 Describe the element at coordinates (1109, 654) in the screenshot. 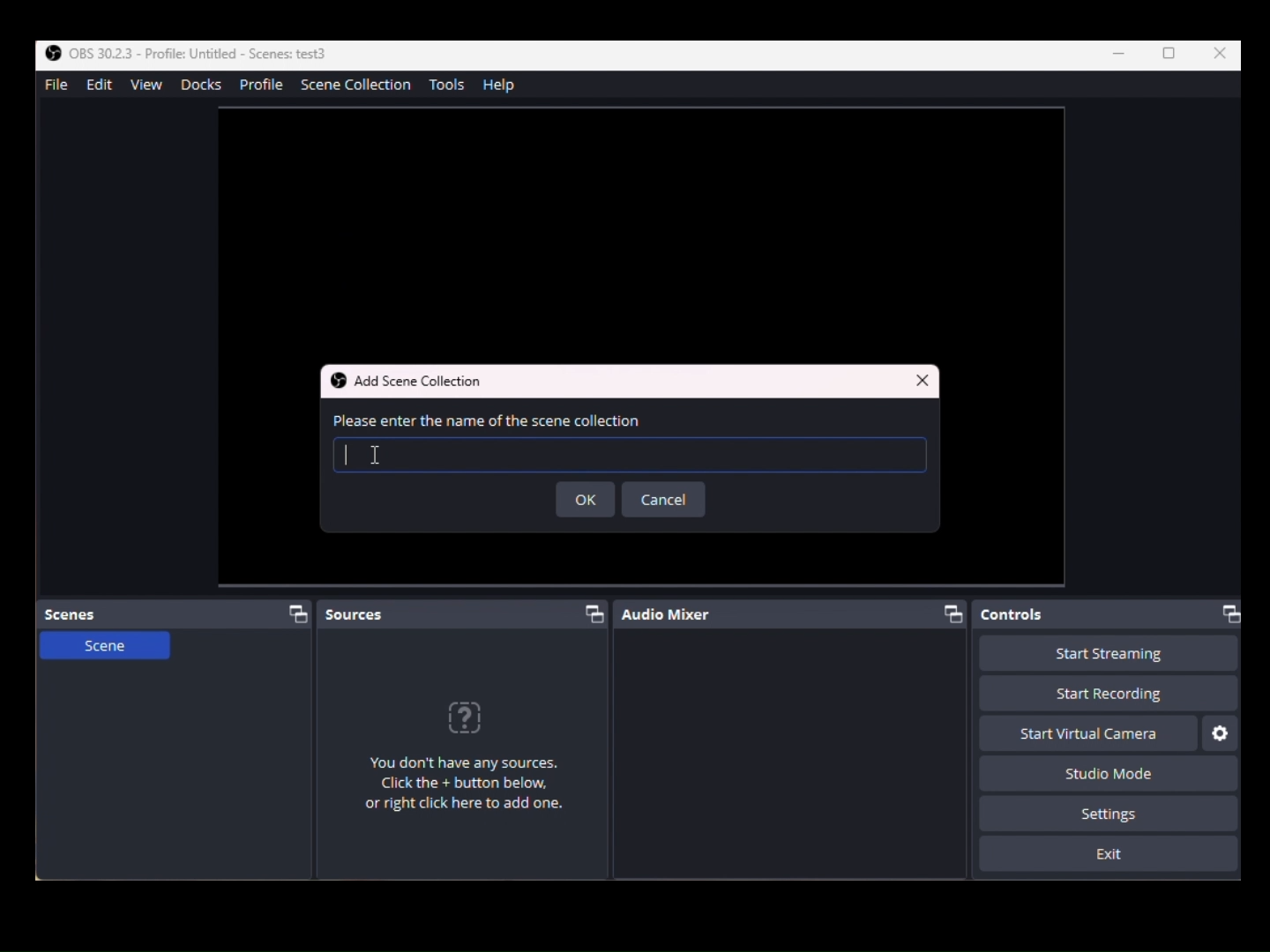

I see `Start Recording` at that location.